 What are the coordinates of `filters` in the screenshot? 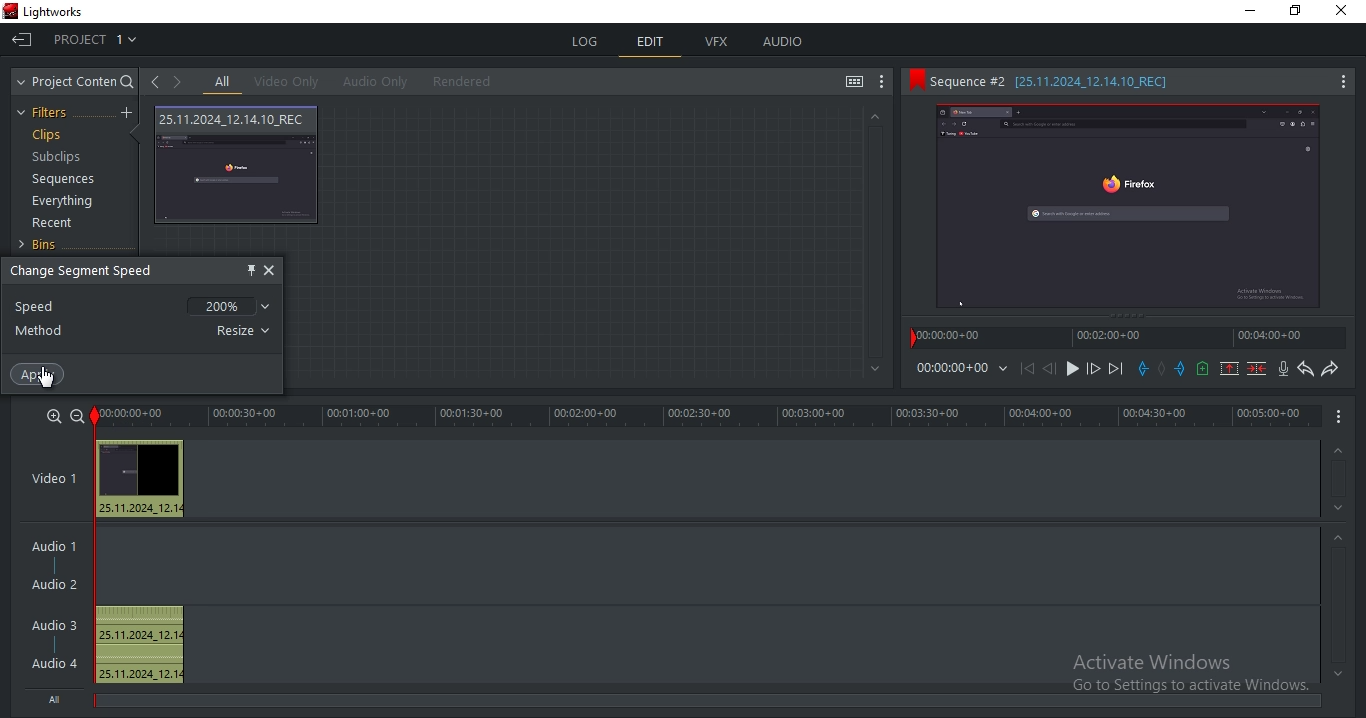 It's located at (45, 113).